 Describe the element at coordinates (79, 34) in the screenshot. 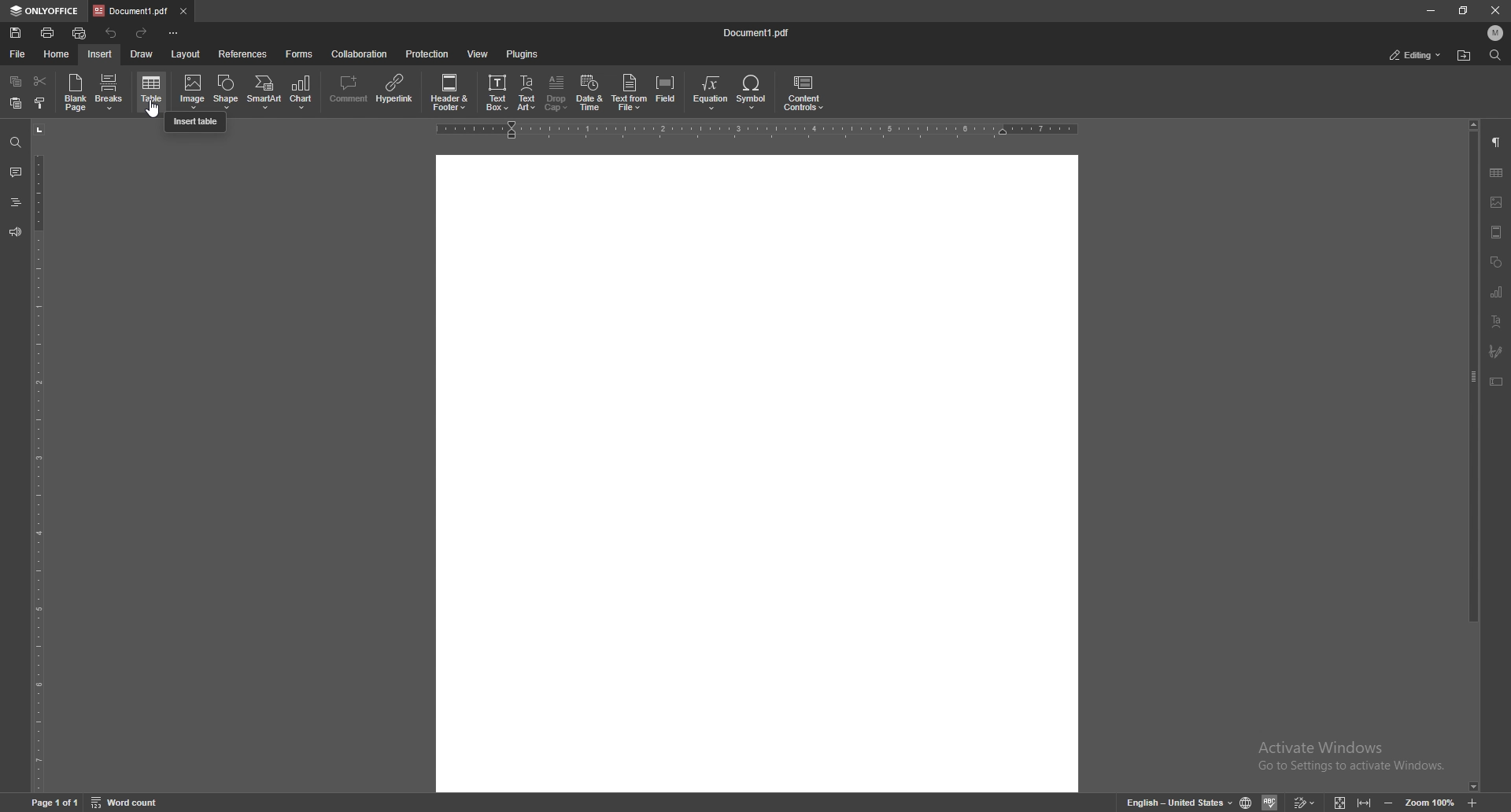

I see `quick print` at that location.